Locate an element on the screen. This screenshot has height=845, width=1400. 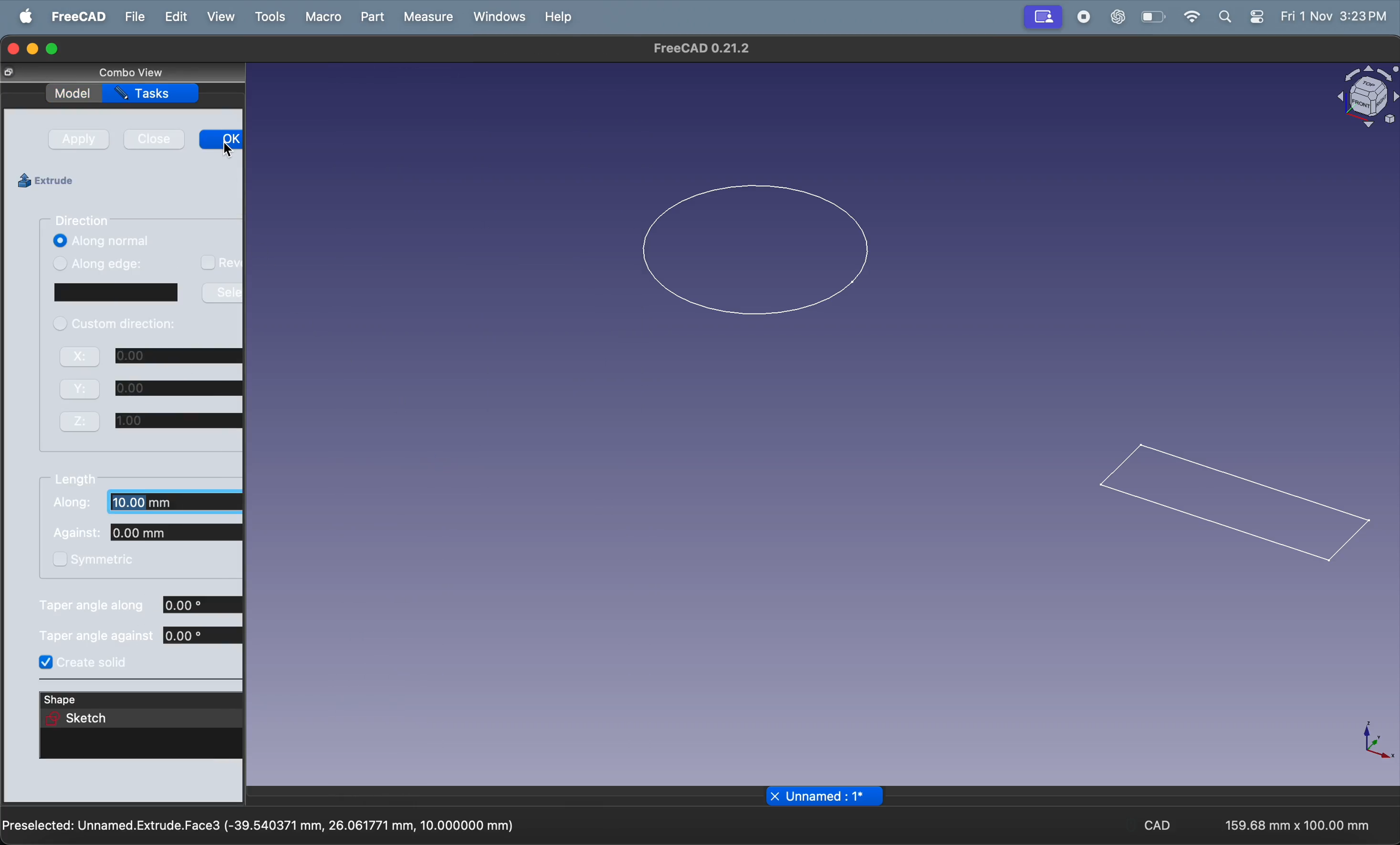
2D circle is located at coordinates (753, 249).